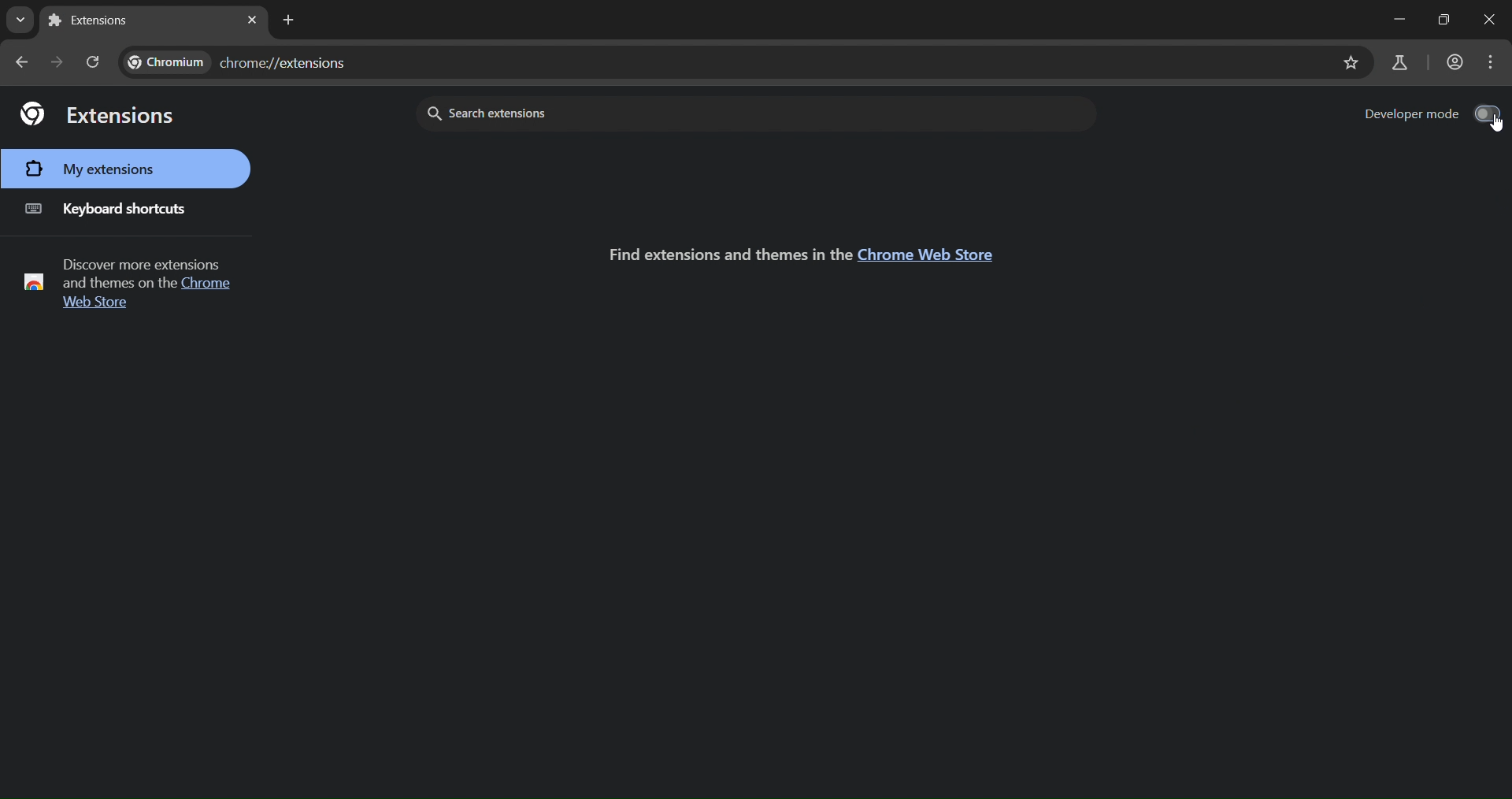 The image size is (1512, 799). Describe the element at coordinates (132, 283) in the screenshot. I see `Discover more extensions and themes on the Chrome Web Store` at that location.